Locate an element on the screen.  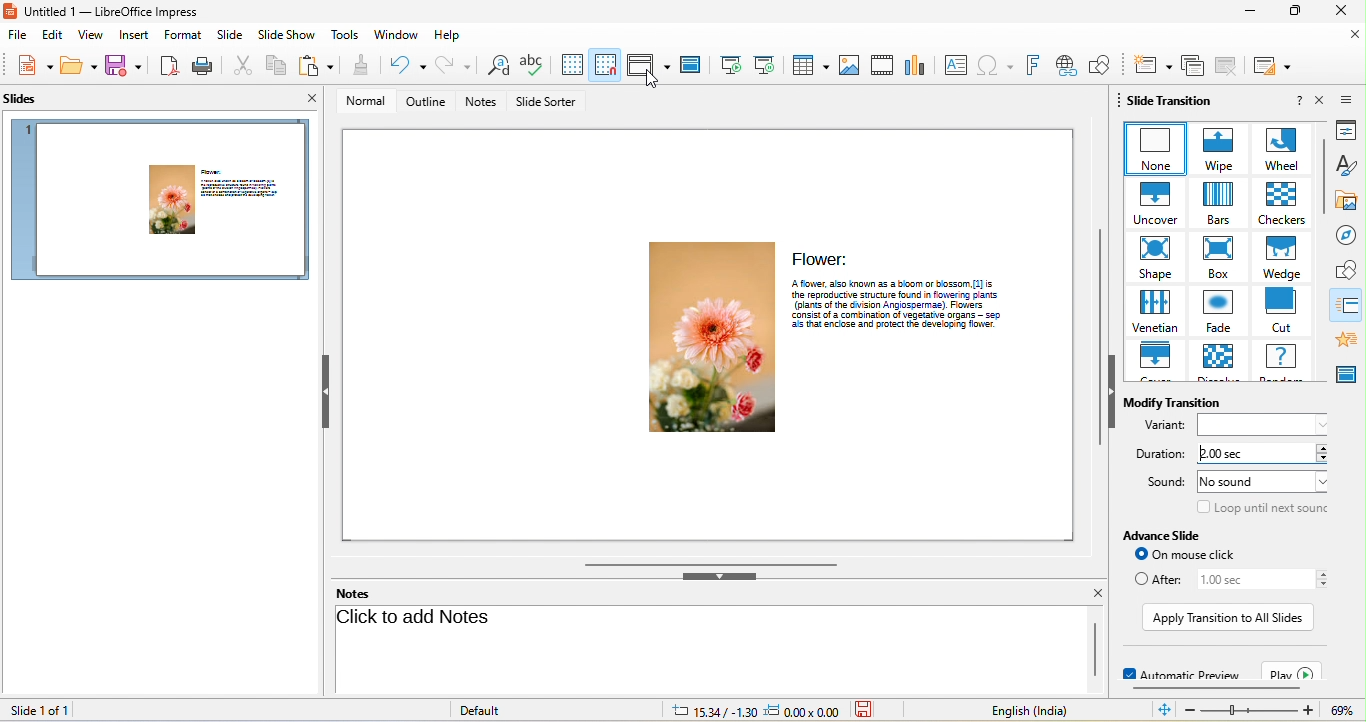
copy is located at coordinates (273, 64).